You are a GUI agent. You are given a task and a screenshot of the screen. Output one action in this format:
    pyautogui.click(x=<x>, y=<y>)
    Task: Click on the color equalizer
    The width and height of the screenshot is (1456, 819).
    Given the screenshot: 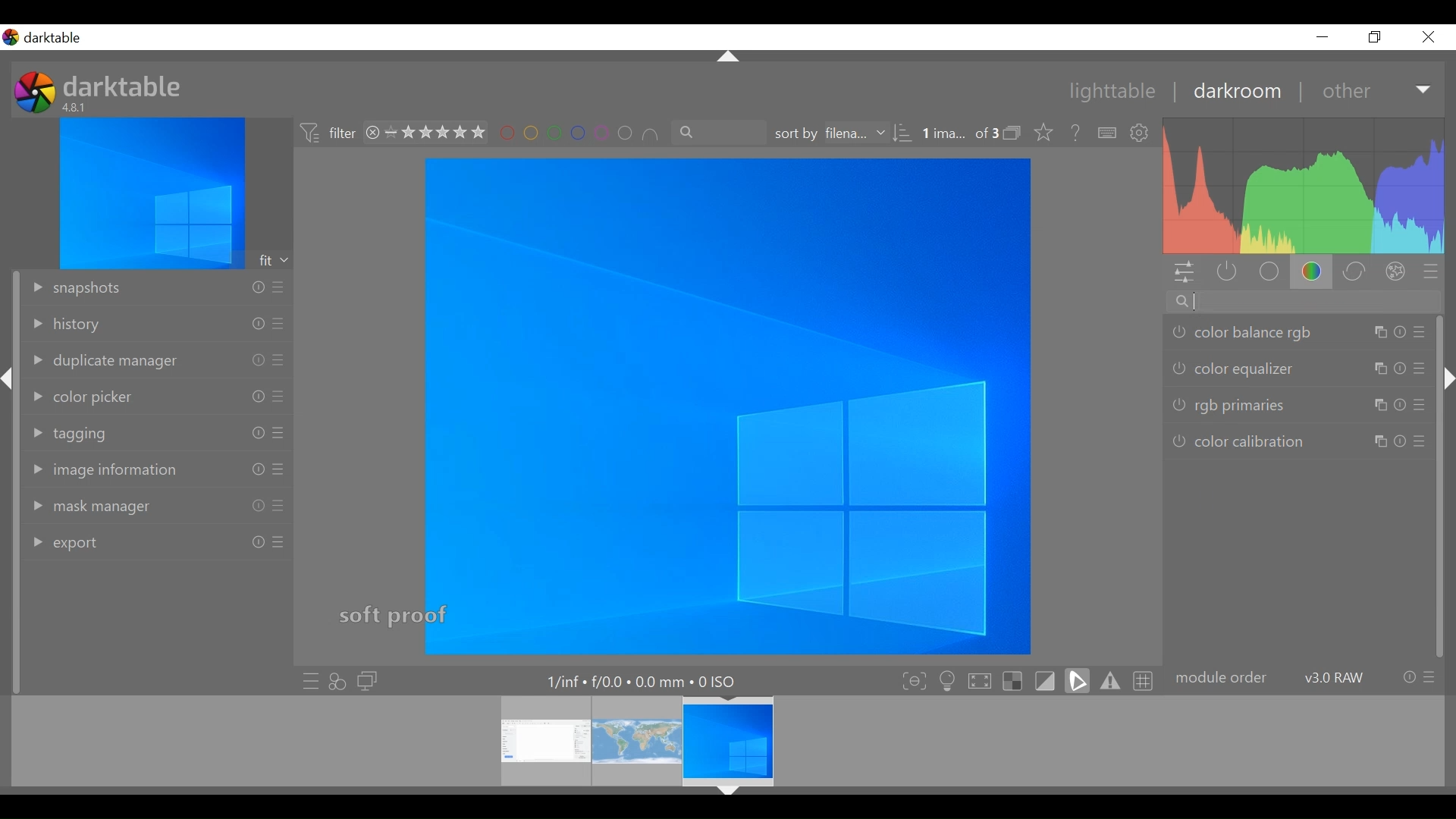 What is the action you would take?
    pyautogui.click(x=1234, y=368)
    